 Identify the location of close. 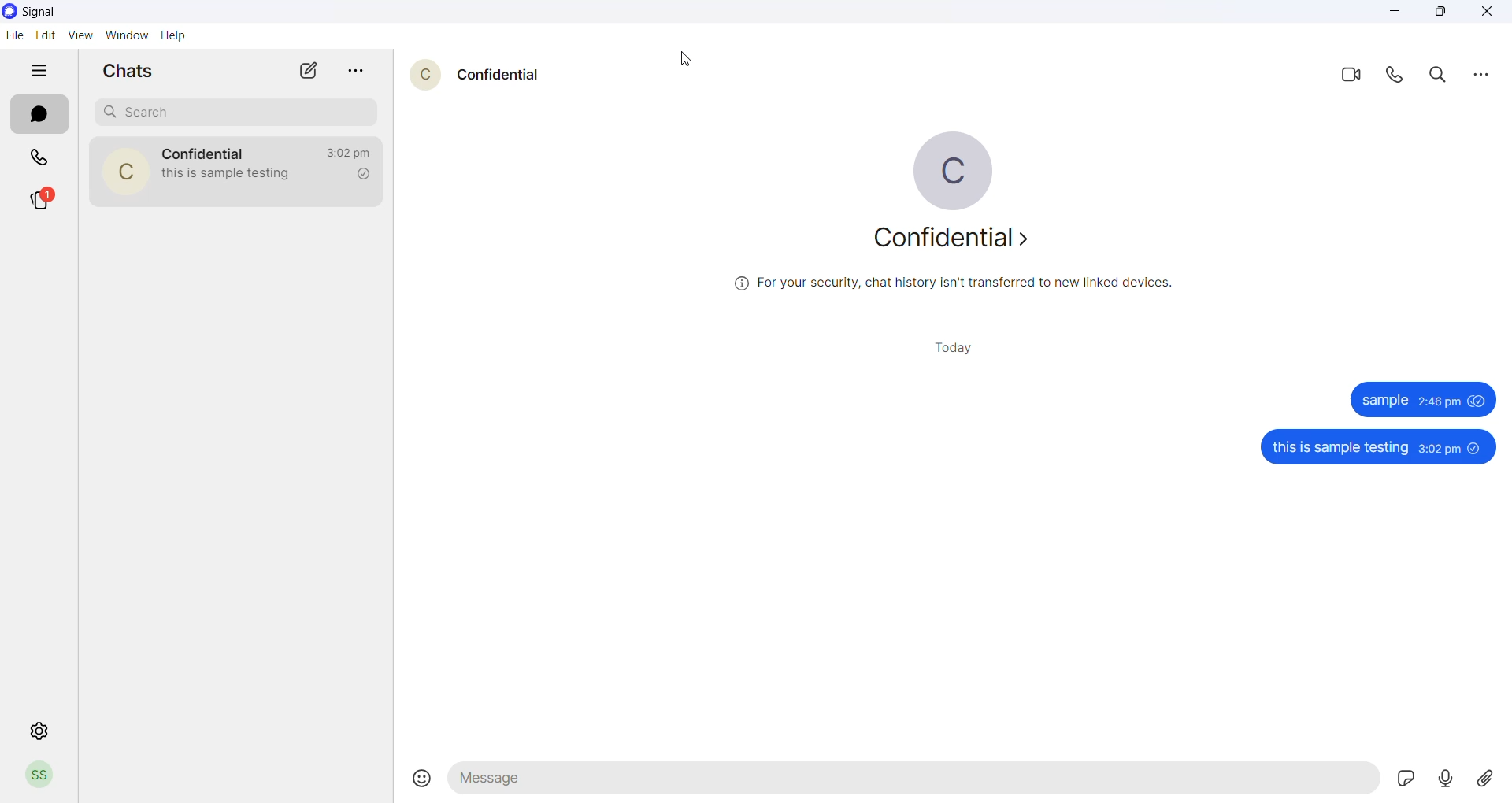
(1489, 13).